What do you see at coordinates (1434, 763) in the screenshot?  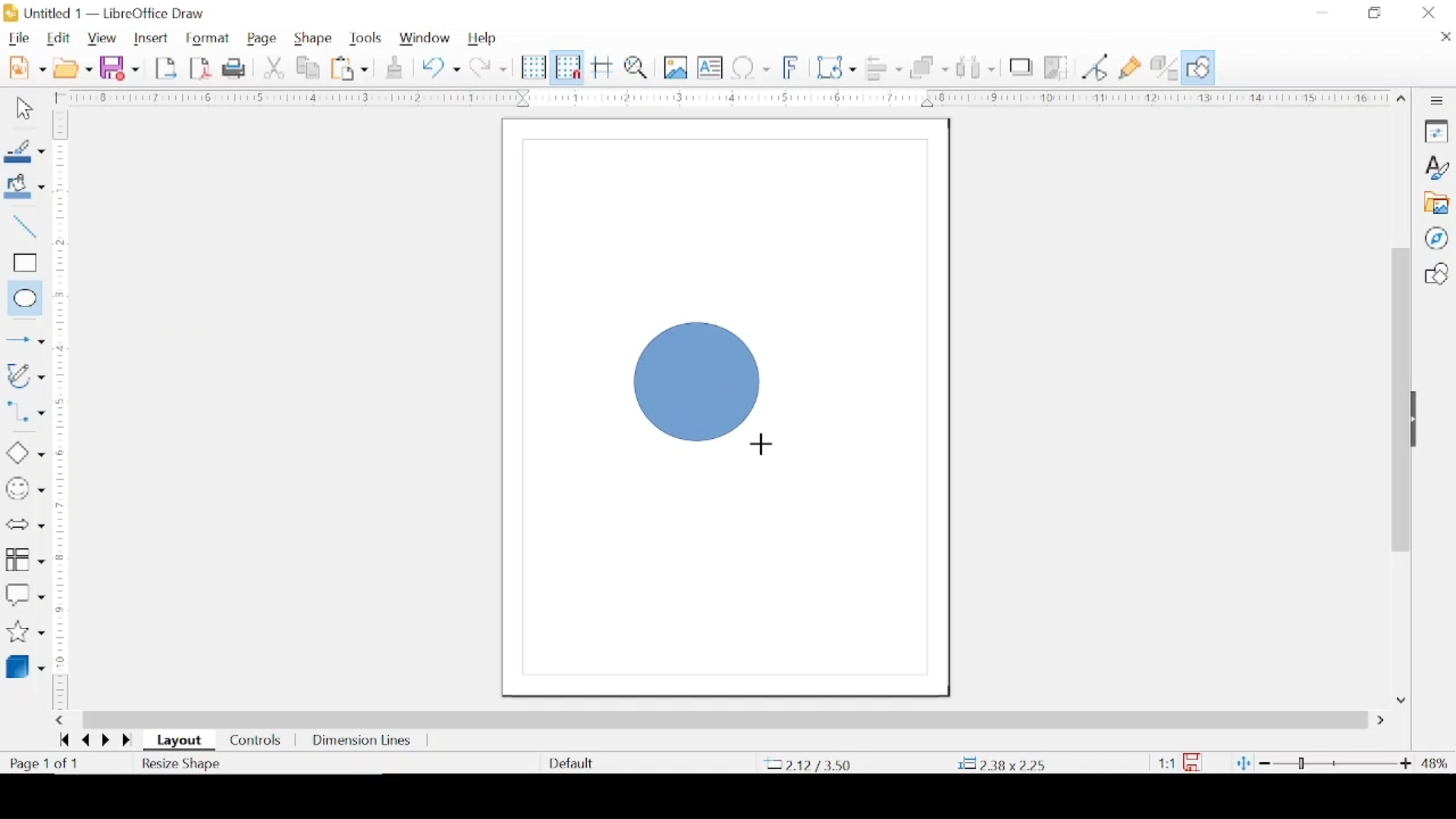 I see `zoom level` at bounding box center [1434, 763].